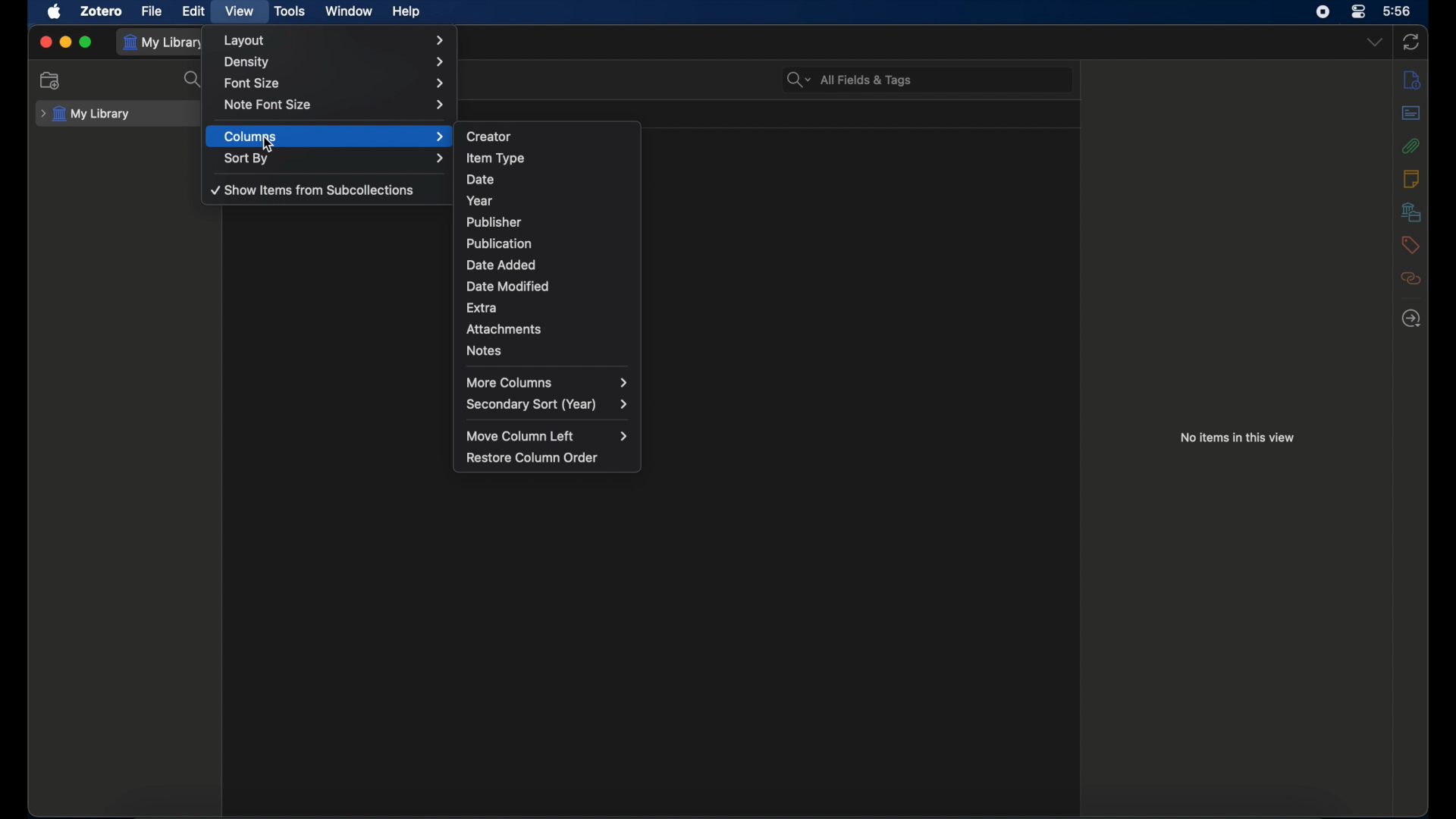 The image size is (1456, 819). What do you see at coordinates (1237, 437) in the screenshot?
I see `no item in this view` at bounding box center [1237, 437].